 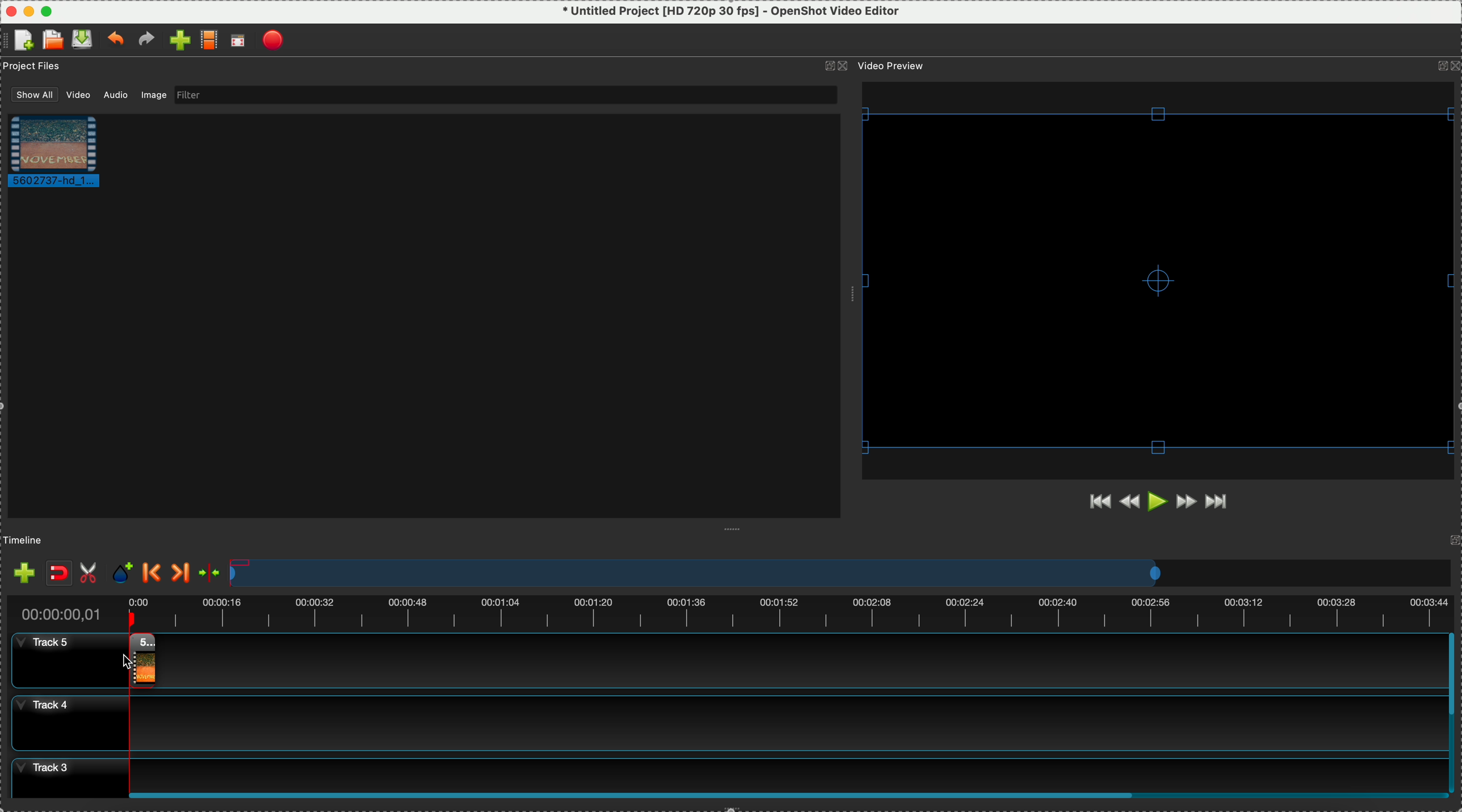 What do you see at coordinates (1221, 504) in the screenshot?
I see `jump to end` at bounding box center [1221, 504].